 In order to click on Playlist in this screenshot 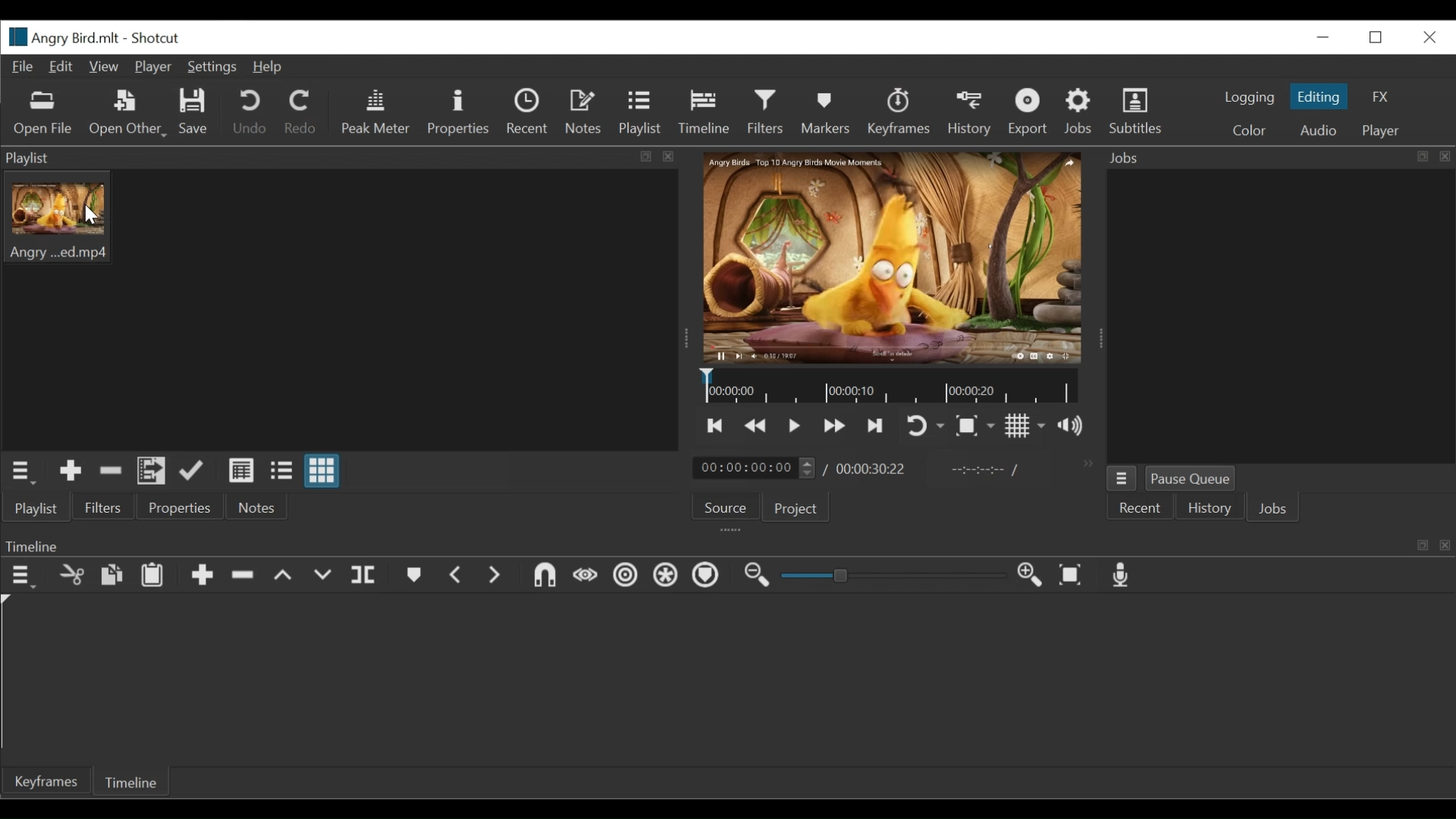, I will do `click(36, 509)`.